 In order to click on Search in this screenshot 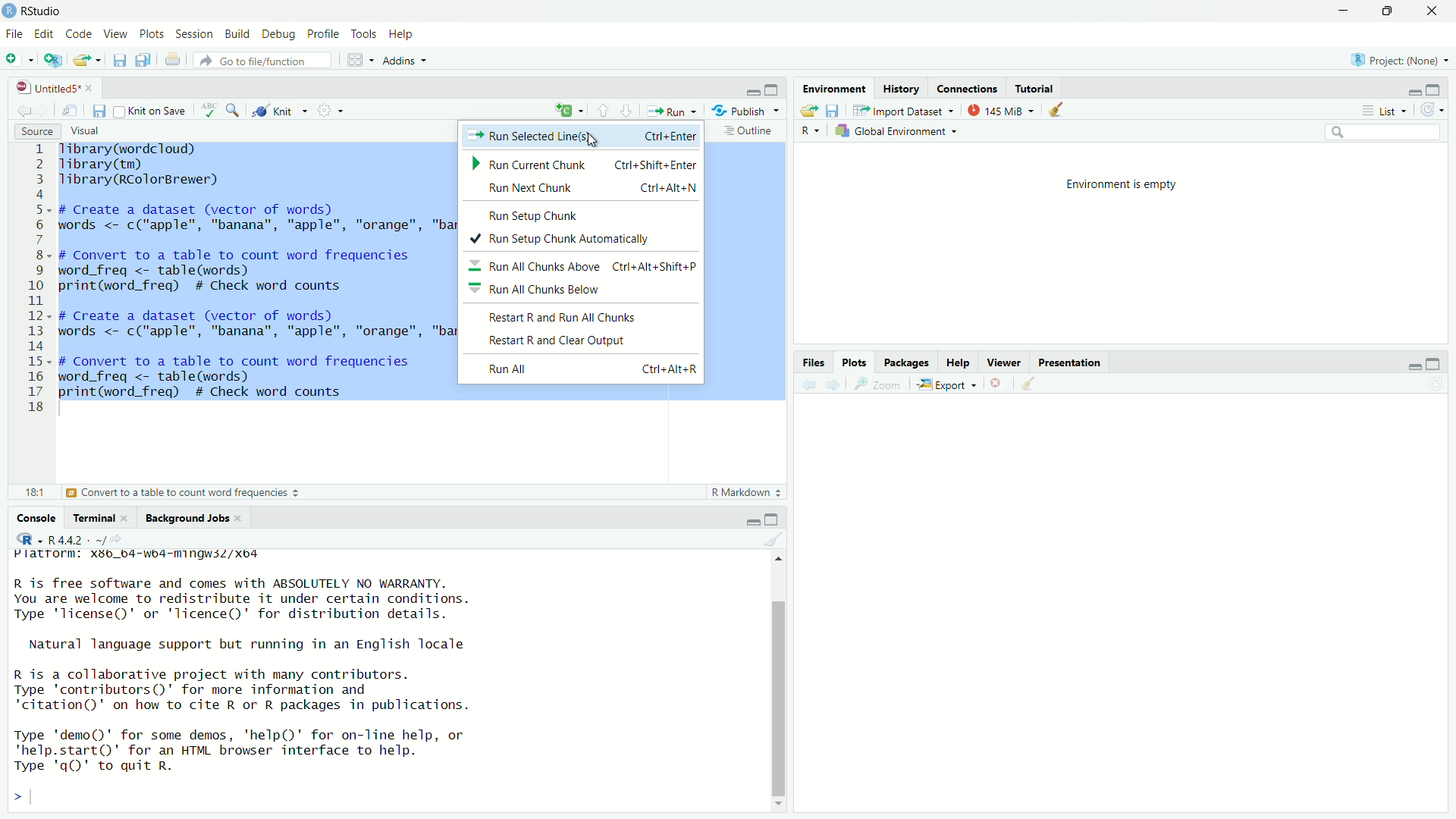, I will do `click(1380, 133)`.